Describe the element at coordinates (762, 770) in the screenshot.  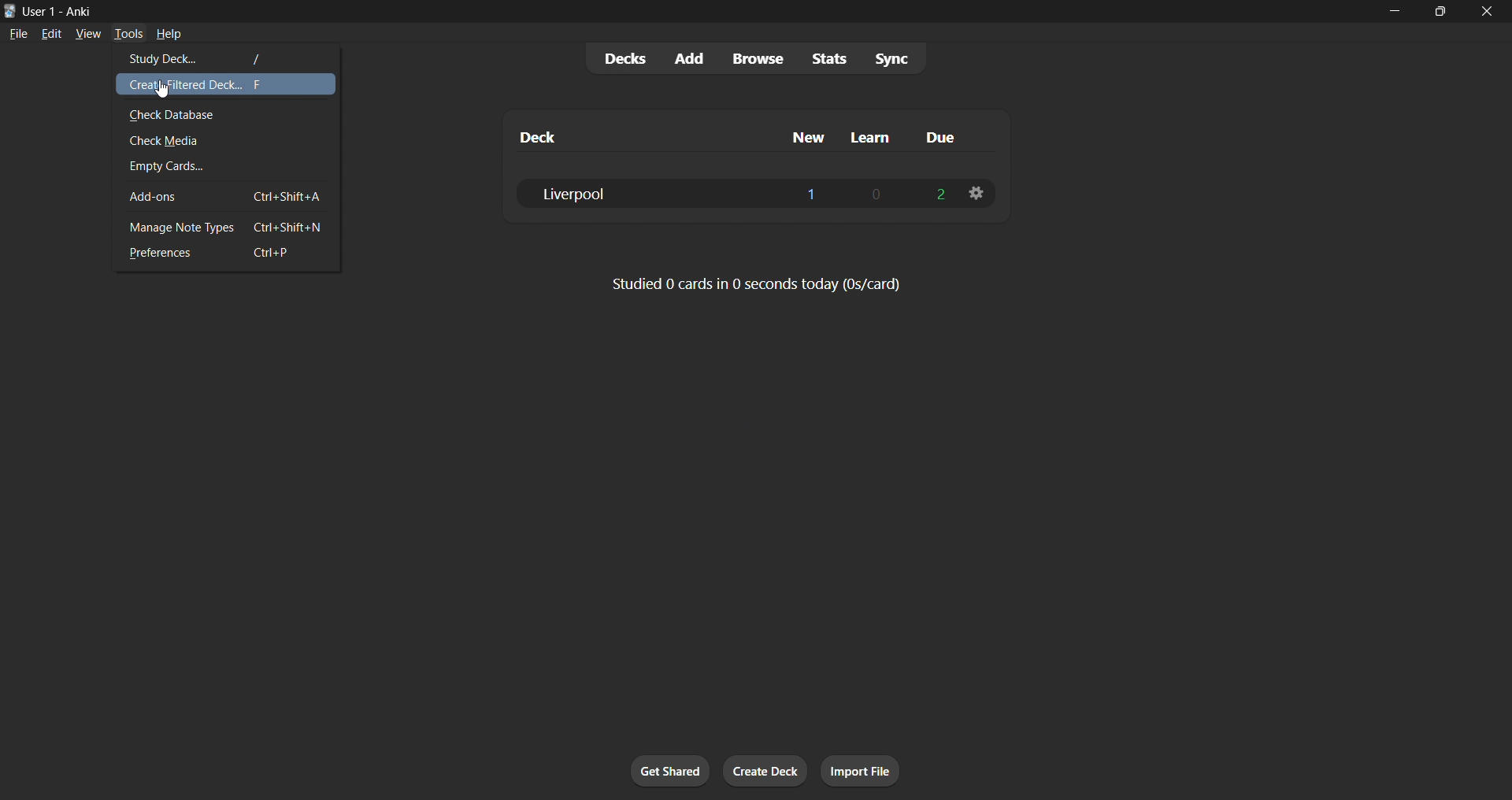
I see `create deck` at that location.